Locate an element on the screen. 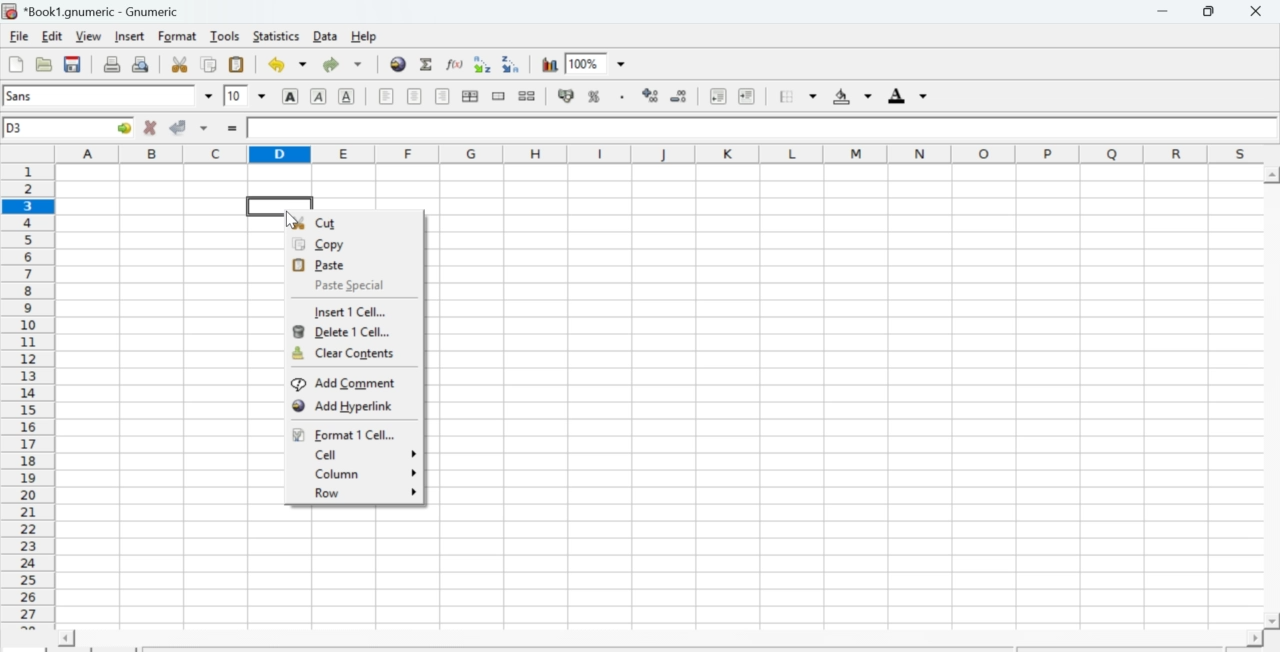 The height and width of the screenshot is (652, 1280). Name of the worksheet is located at coordinates (105, 11).